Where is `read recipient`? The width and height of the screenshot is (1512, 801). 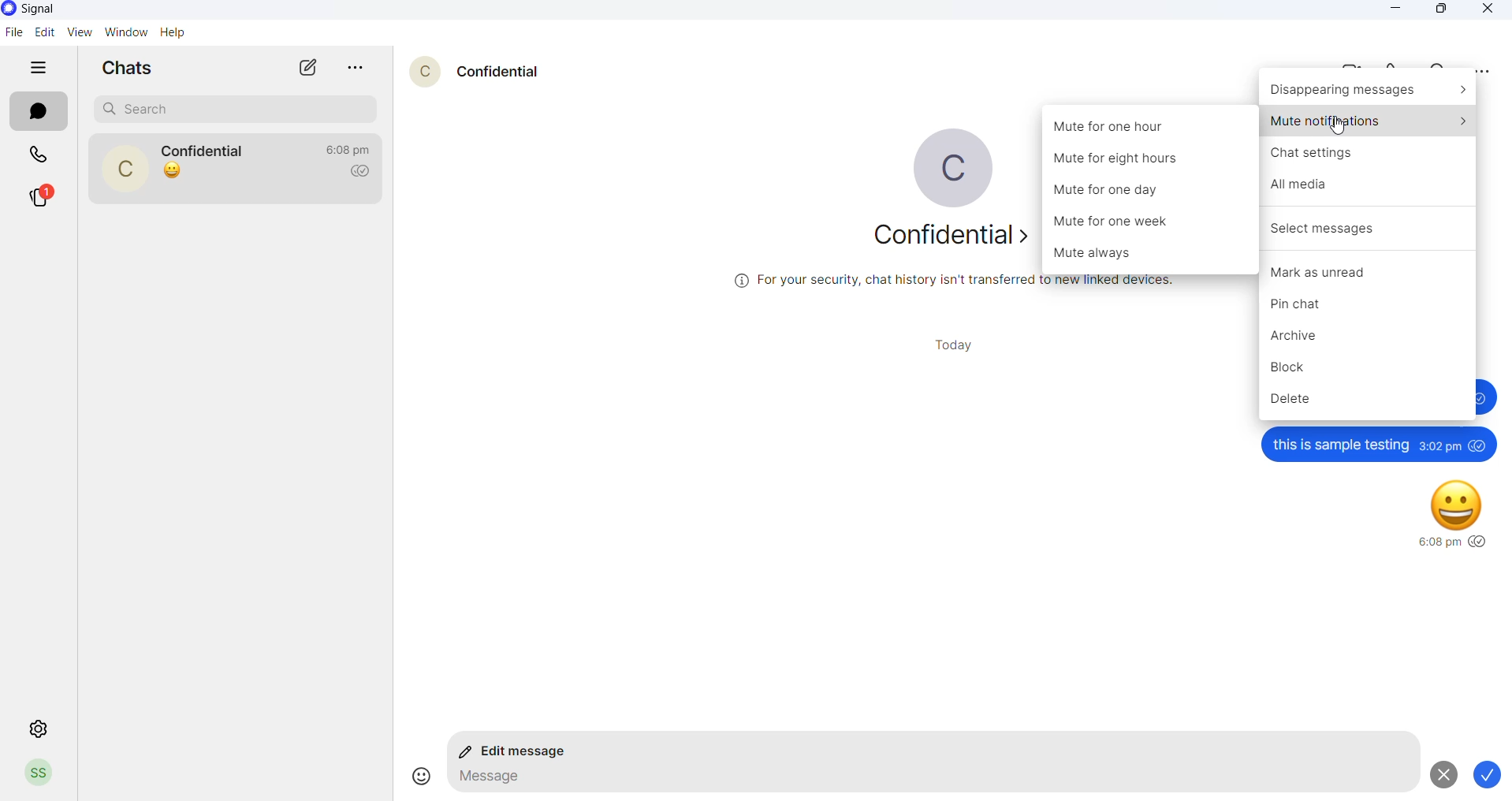 read recipient is located at coordinates (364, 172).